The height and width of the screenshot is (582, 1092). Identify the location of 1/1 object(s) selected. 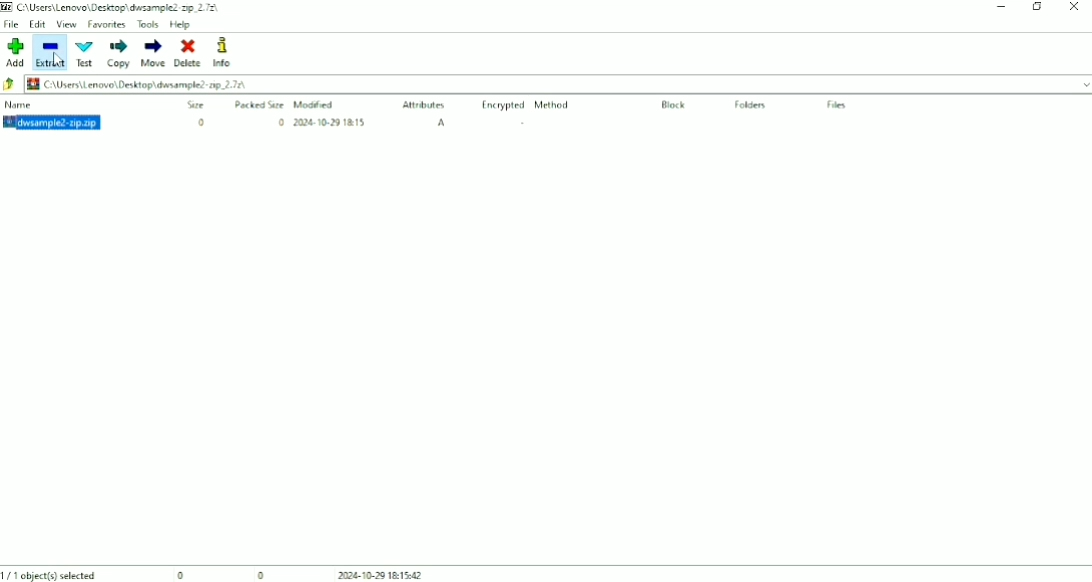
(51, 574).